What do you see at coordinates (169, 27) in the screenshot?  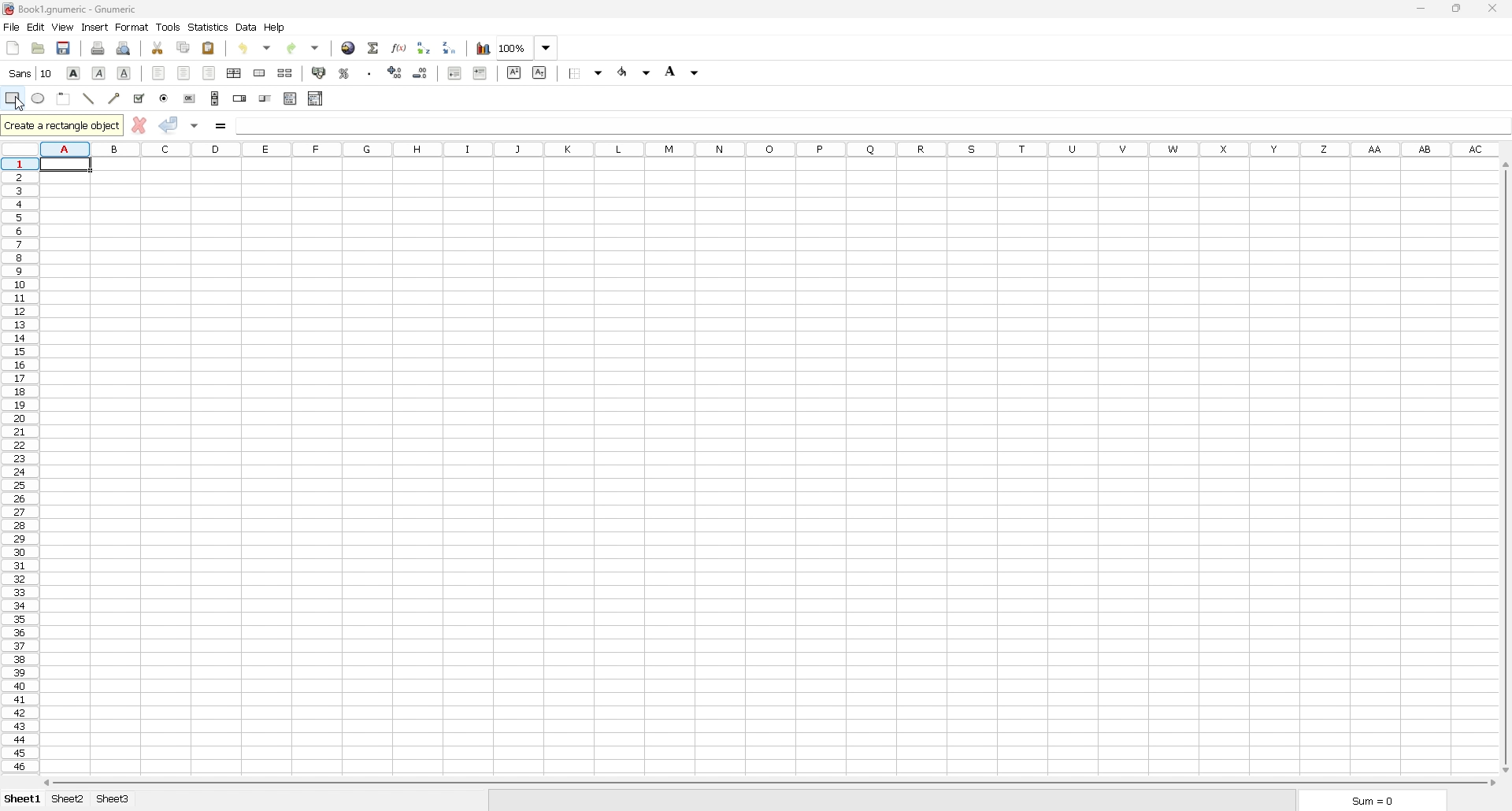 I see `tools` at bounding box center [169, 27].